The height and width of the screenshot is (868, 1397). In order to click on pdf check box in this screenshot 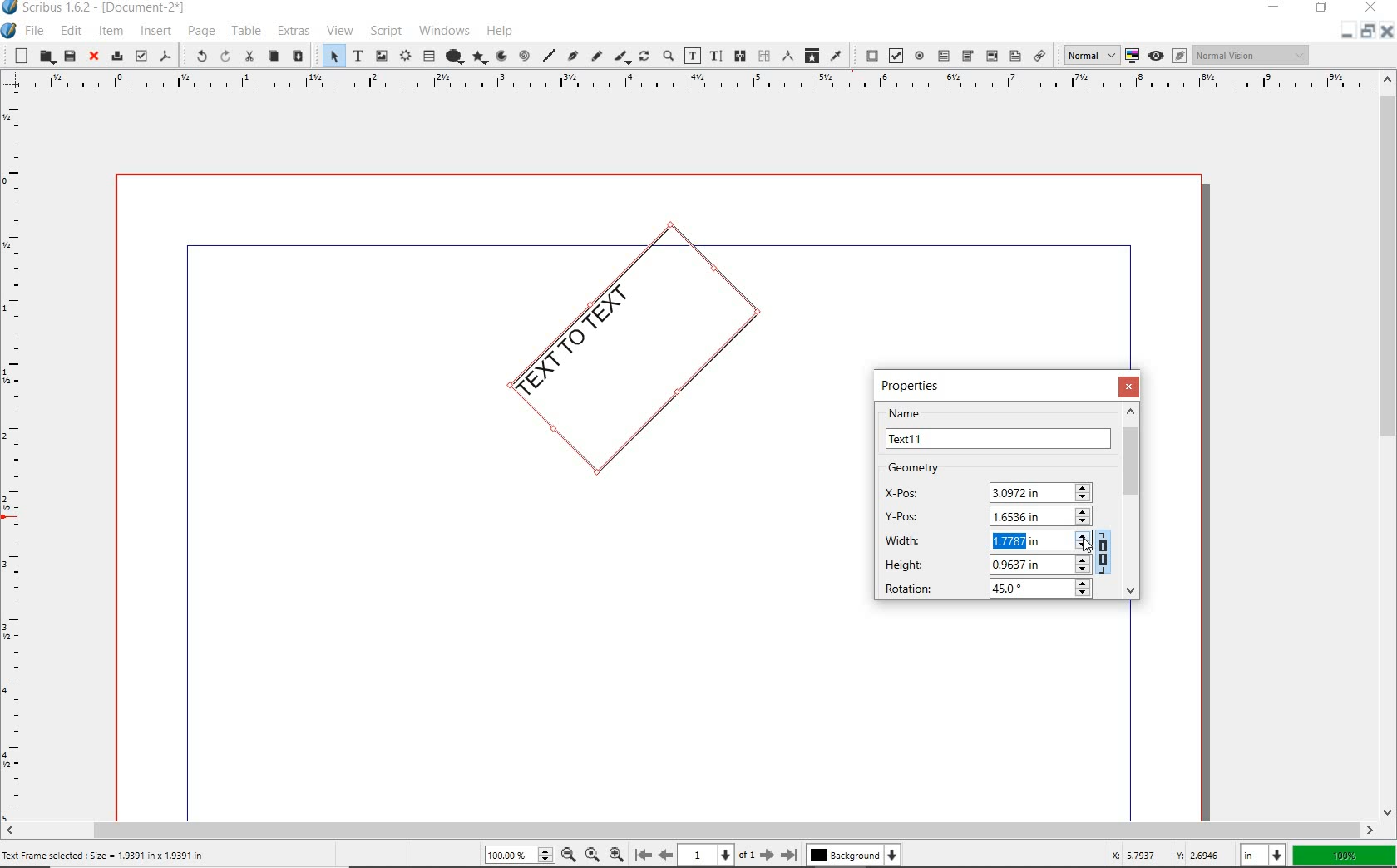, I will do `click(896, 55)`.